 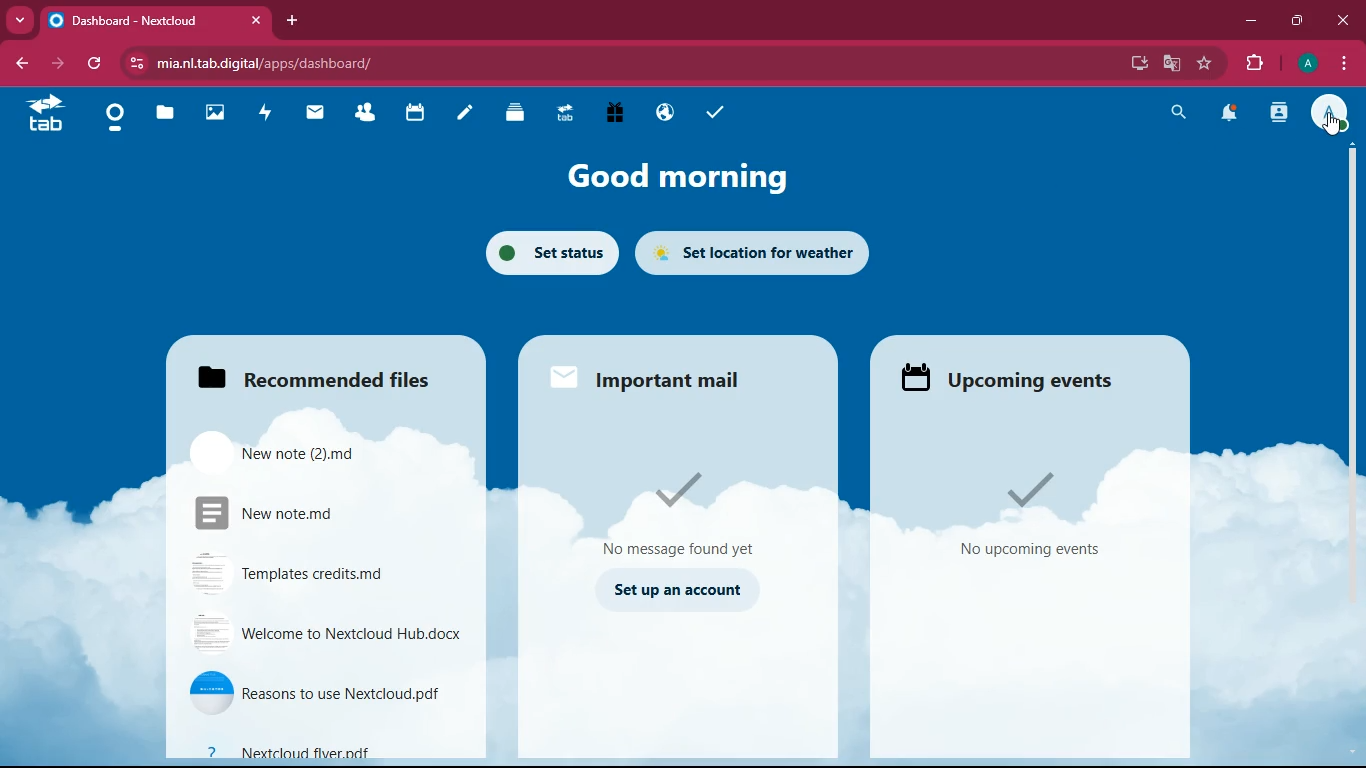 I want to click on close, so click(x=1346, y=21).